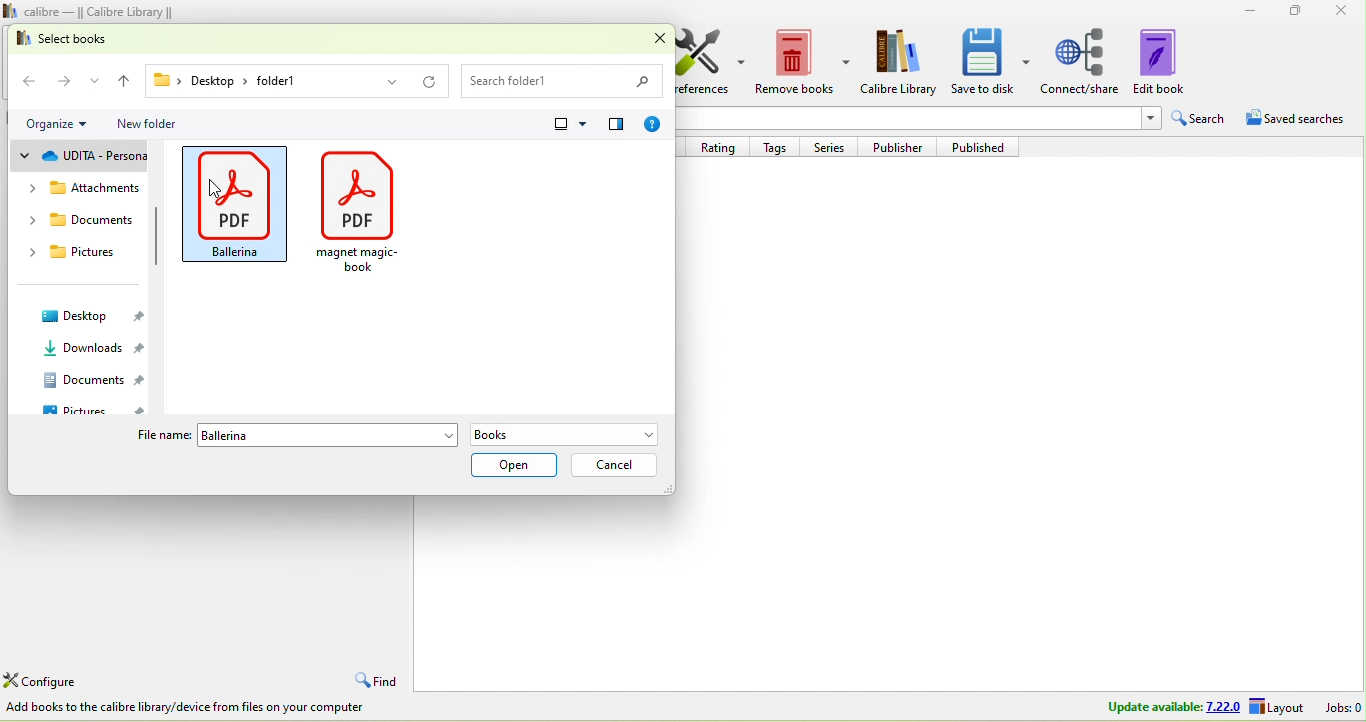 The image size is (1366, 722). Describe the element at coordinates (802, 63) in the screenshot. I see `remeove` at that location.